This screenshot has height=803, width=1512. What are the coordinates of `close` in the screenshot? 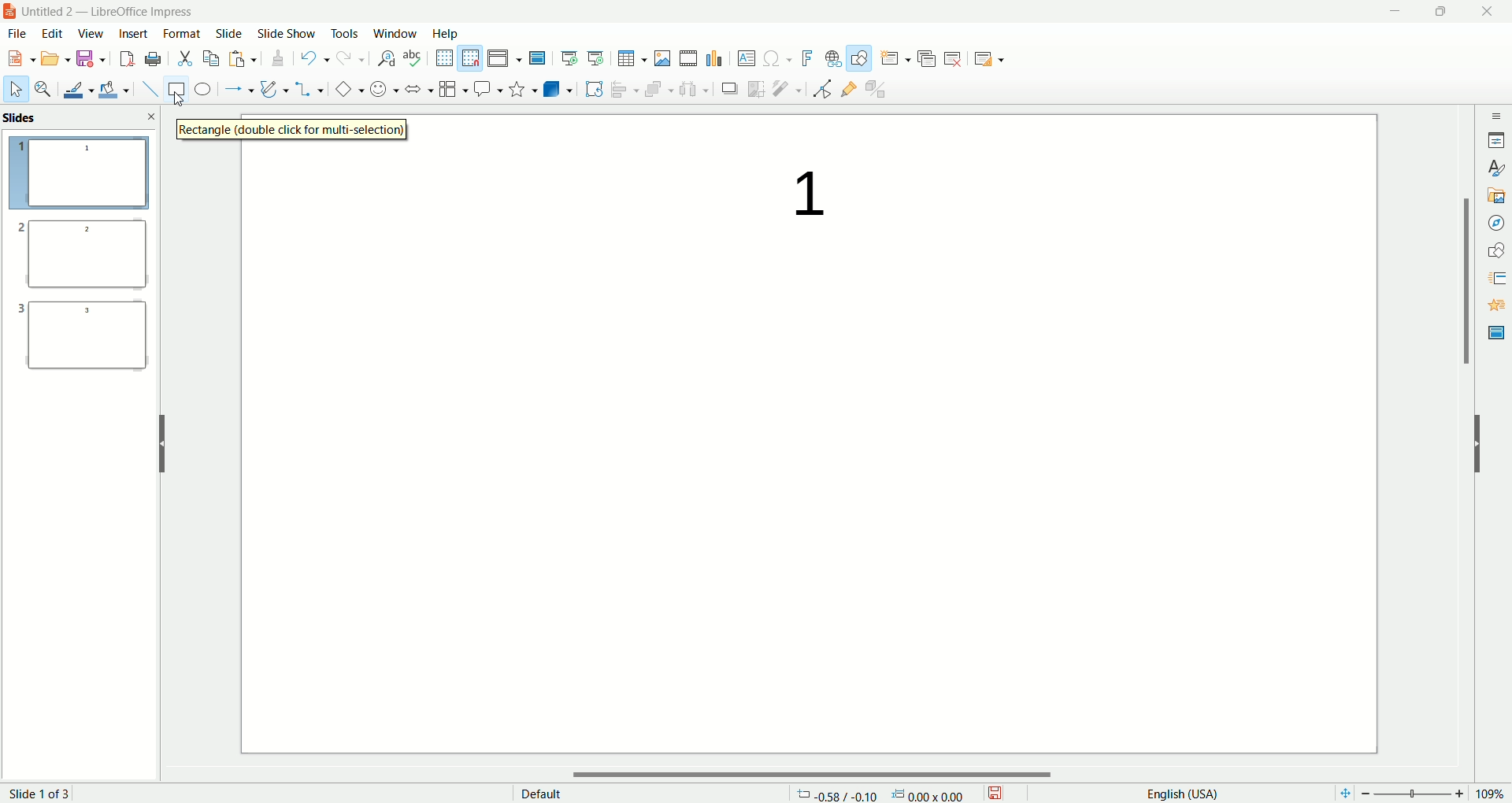 It's located at (1488, 13).